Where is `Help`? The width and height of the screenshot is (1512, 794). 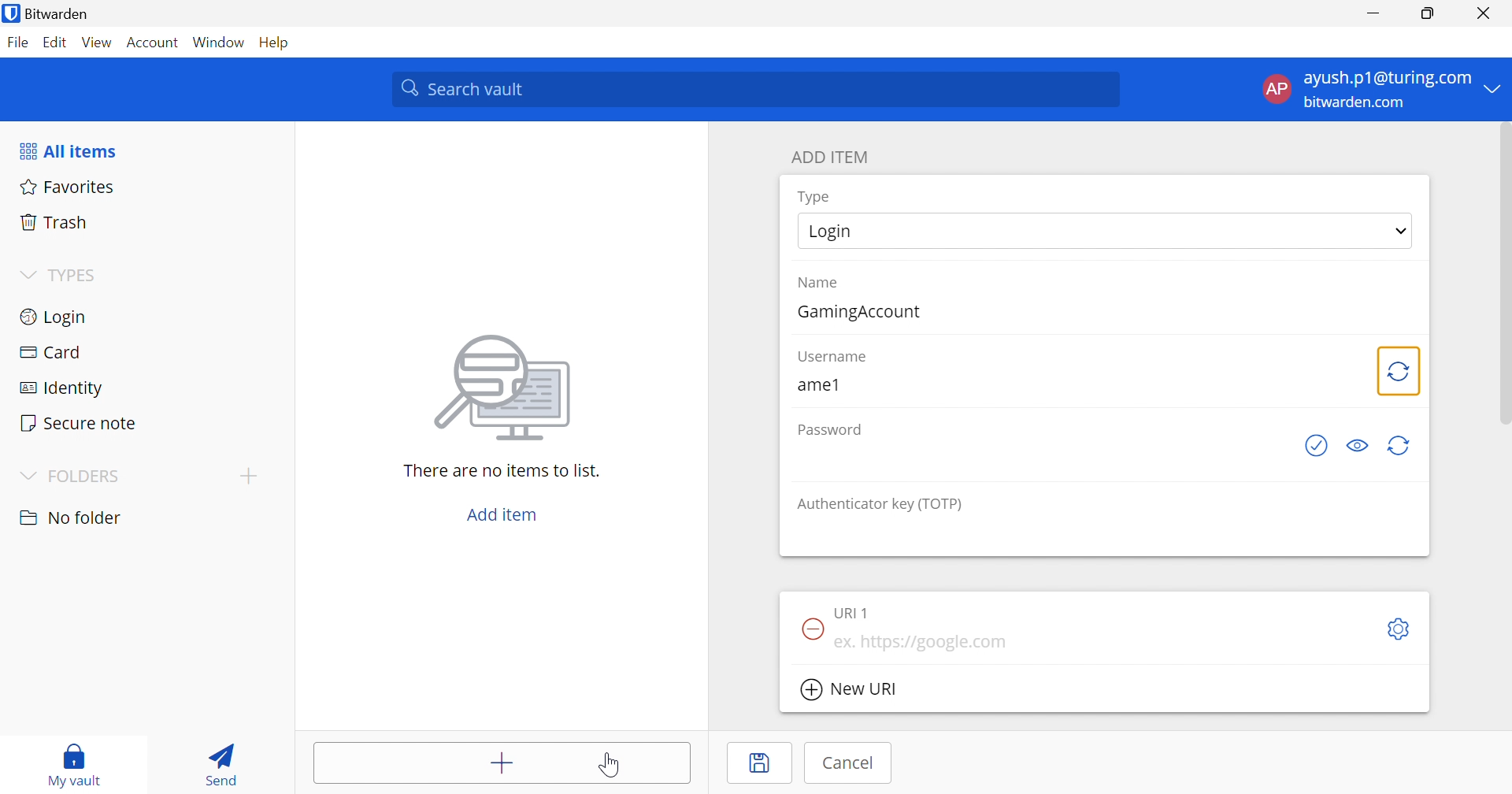 Help is located at coordinates (273, 43).